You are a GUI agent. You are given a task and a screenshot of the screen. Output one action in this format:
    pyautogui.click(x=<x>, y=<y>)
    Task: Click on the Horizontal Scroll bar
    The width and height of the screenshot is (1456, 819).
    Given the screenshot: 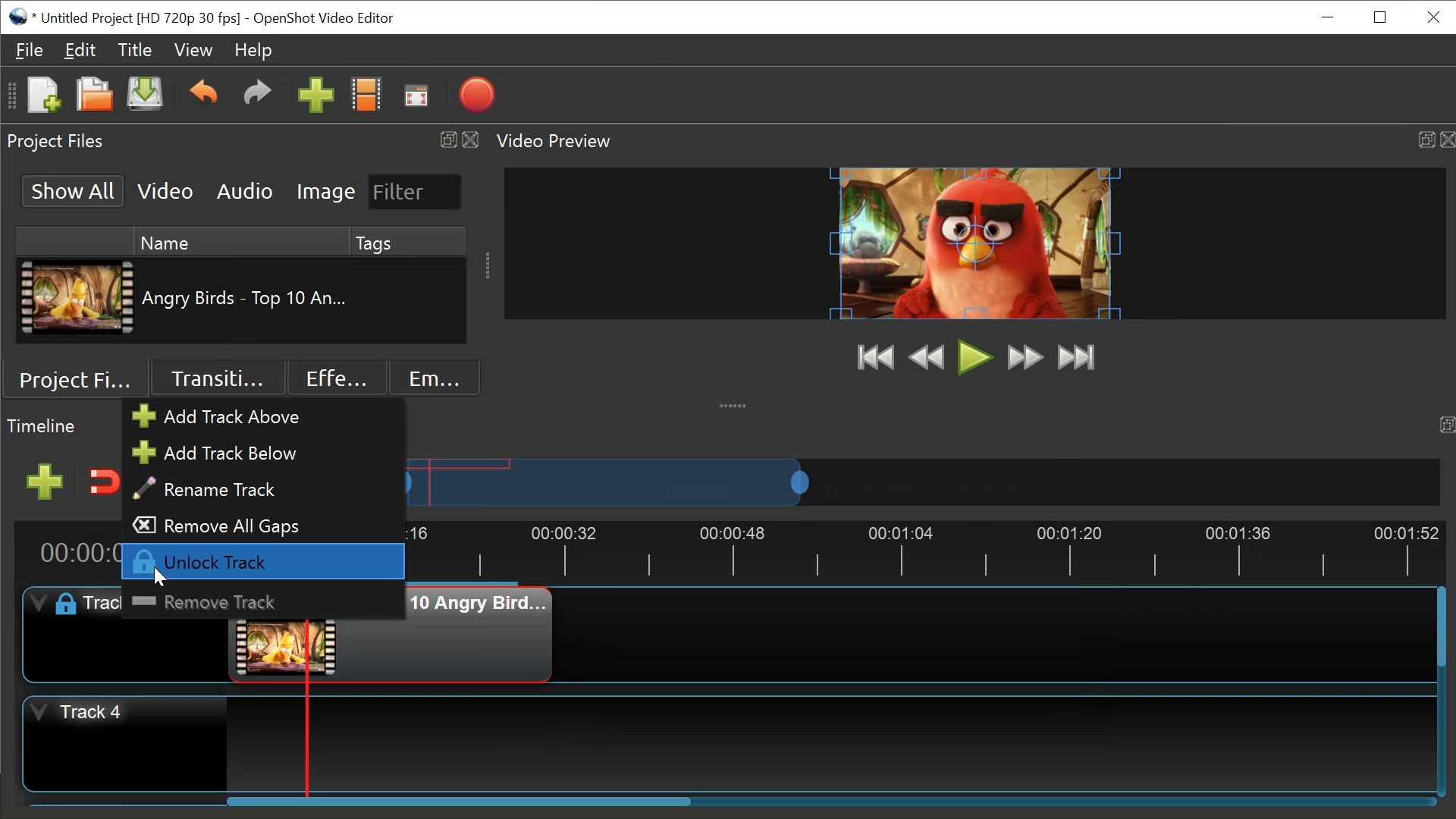 What is the action you would take?
    pyautogui.click(x=457, y=802)
    